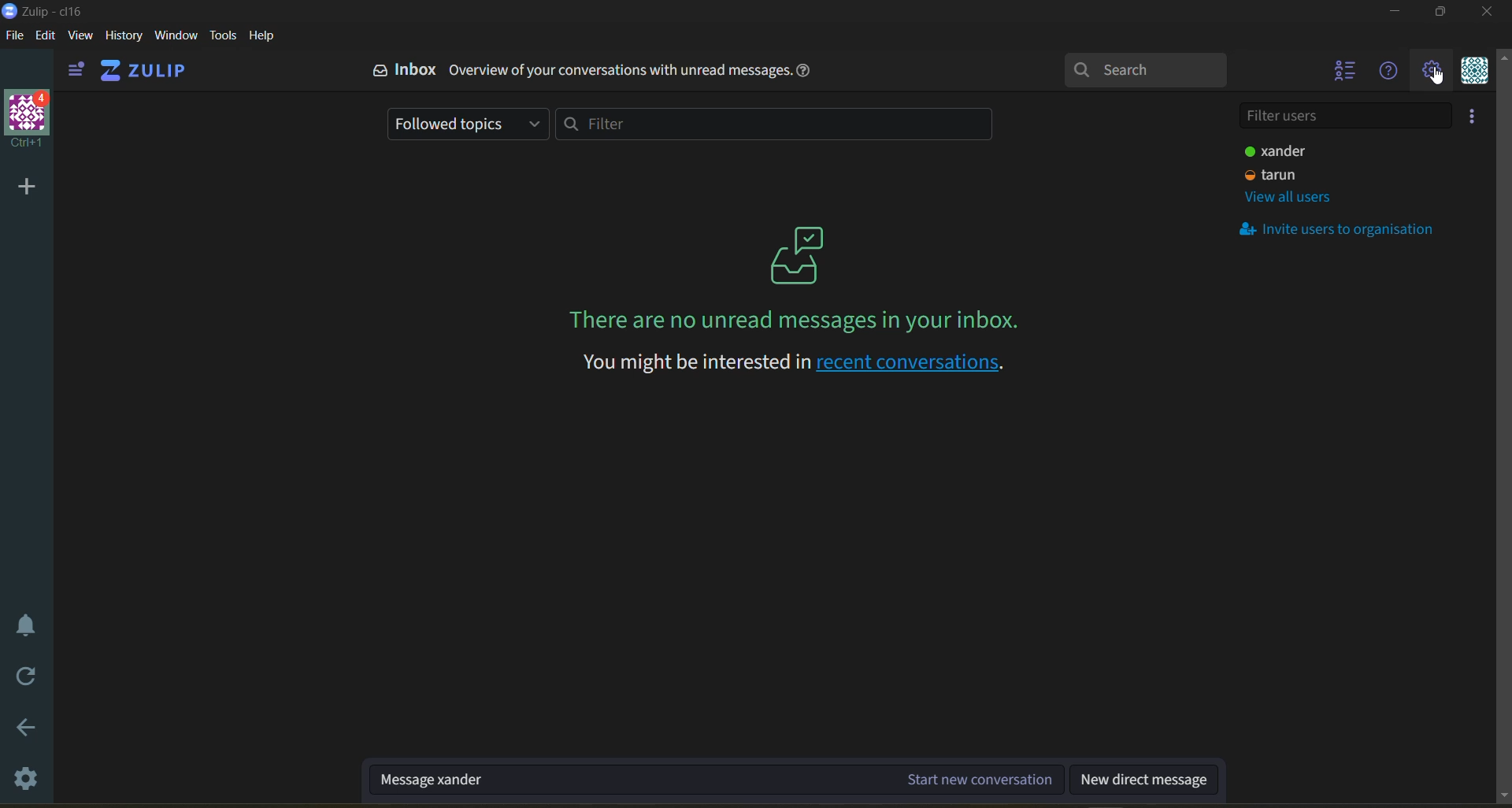 This screenshot has height=808, width=1512. What do you see at coordinates (13, 35) in the screenshot?
I see `file` at bounding box center [13, 35].